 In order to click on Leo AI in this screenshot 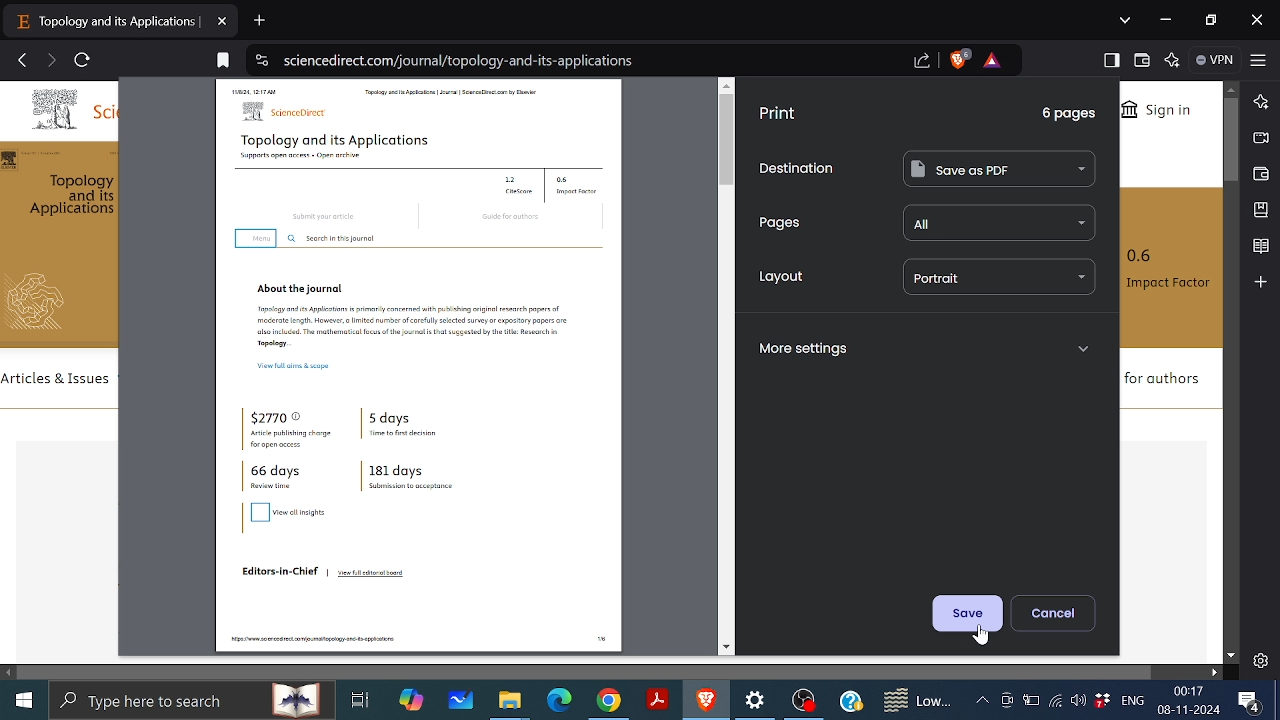, I will do `click(1172, 60)`.